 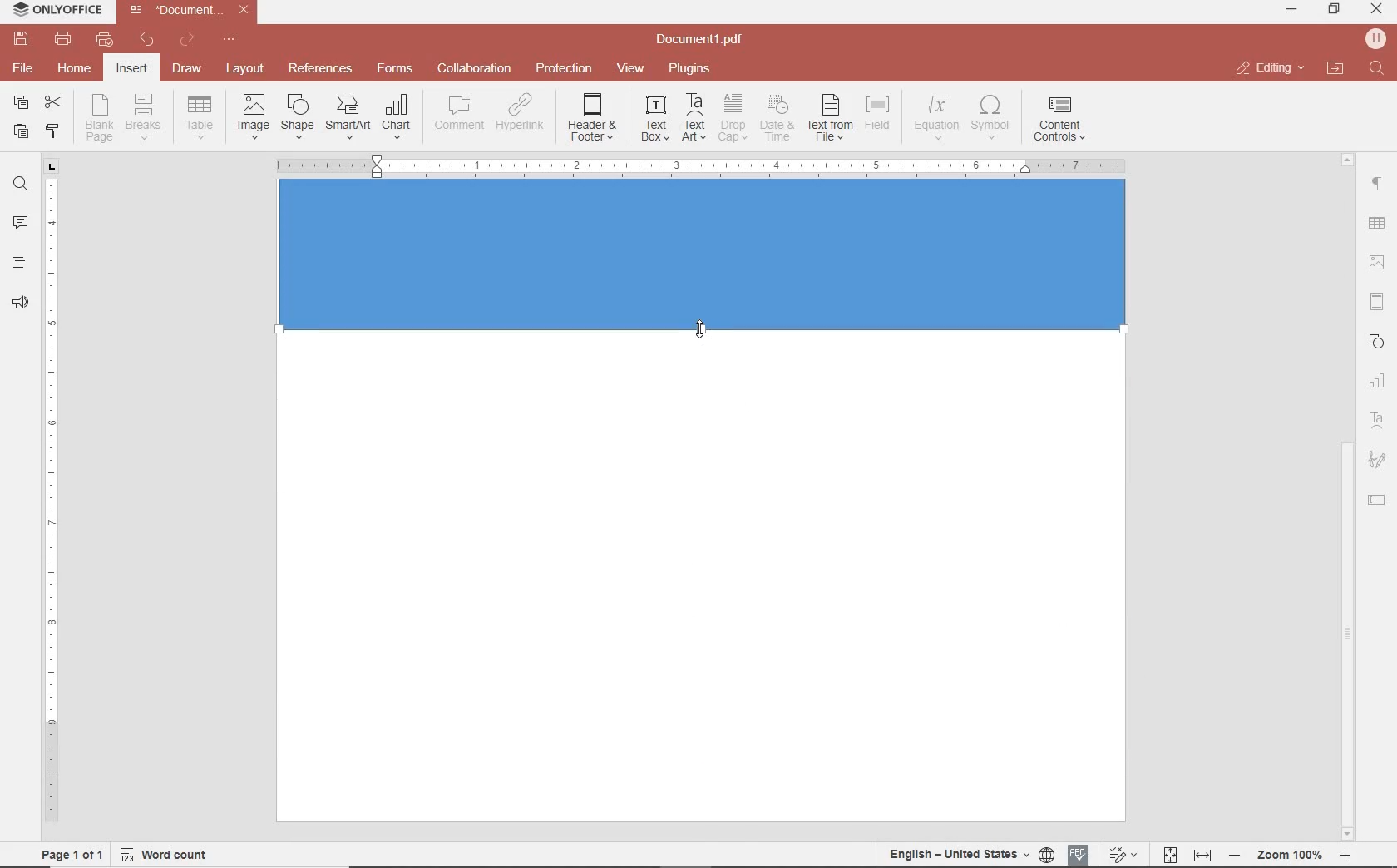 I want to click on fit to page and width, so click(x=1184, y=856).